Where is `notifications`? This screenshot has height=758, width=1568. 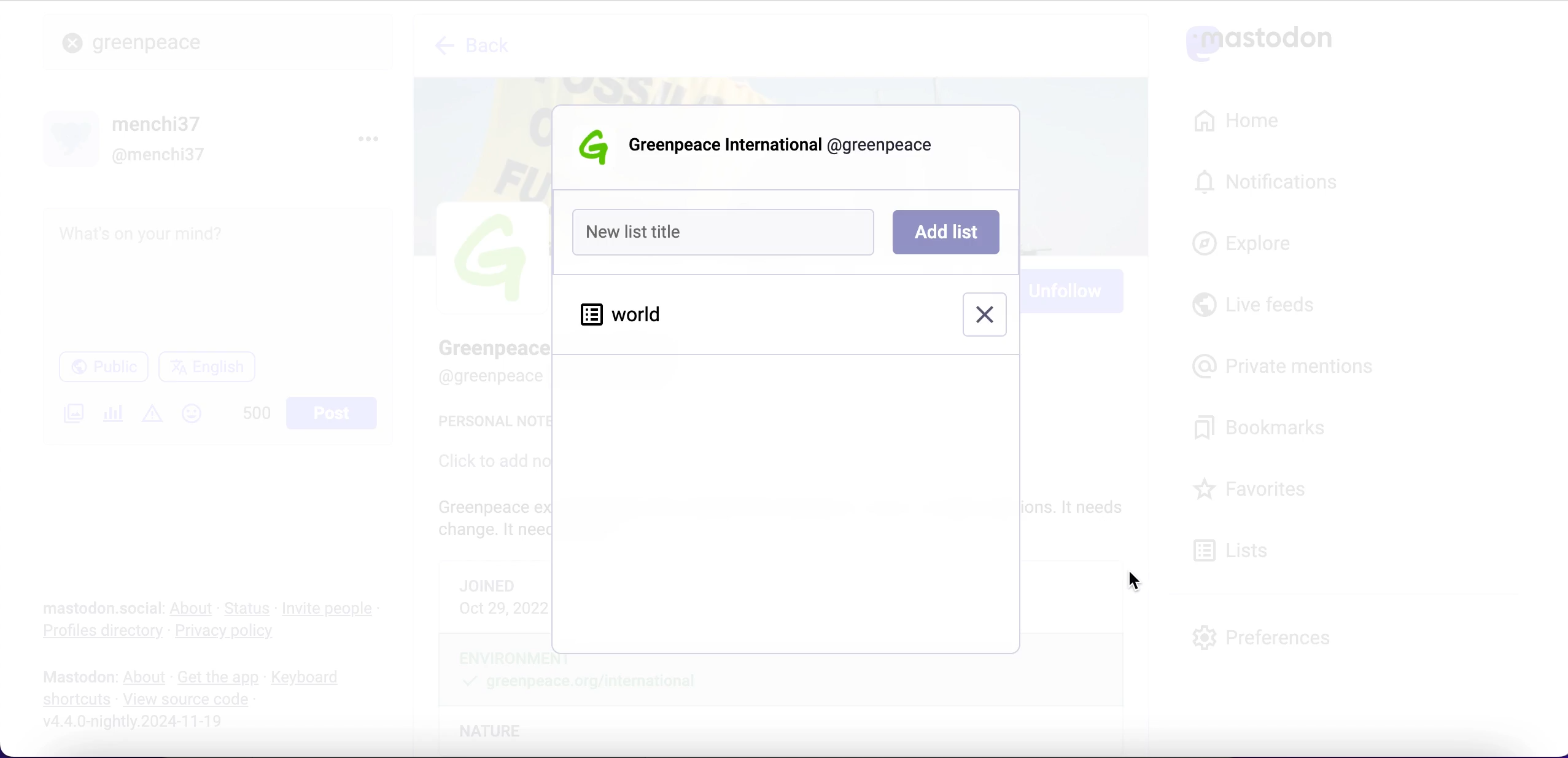
notifications is located at coordinates (1272, 181).